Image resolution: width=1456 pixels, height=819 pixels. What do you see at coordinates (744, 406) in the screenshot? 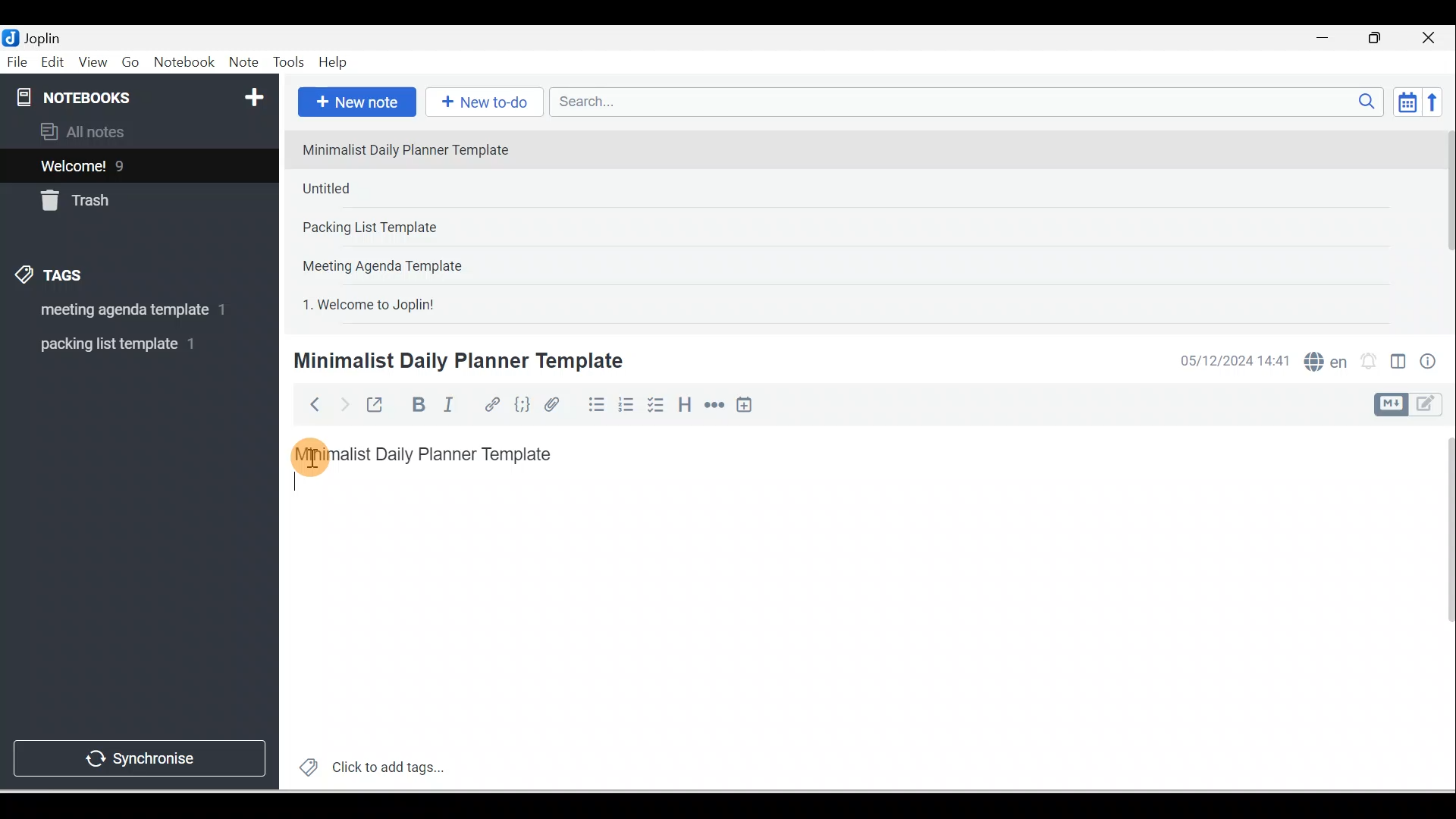
I see `Insert time` at bounding box center [744, 406].